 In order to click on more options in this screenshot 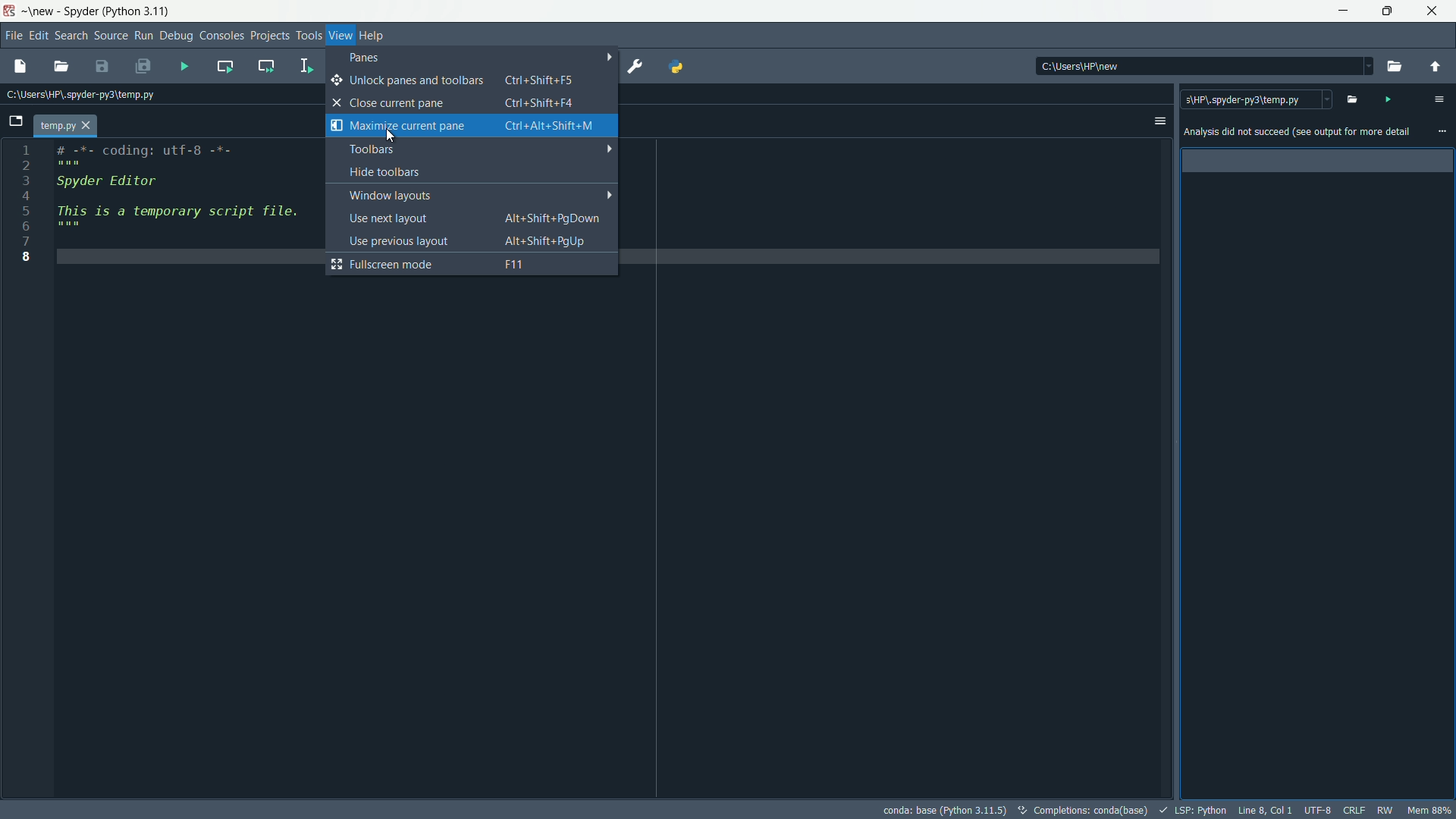, I will do `click(1441, 131)`.